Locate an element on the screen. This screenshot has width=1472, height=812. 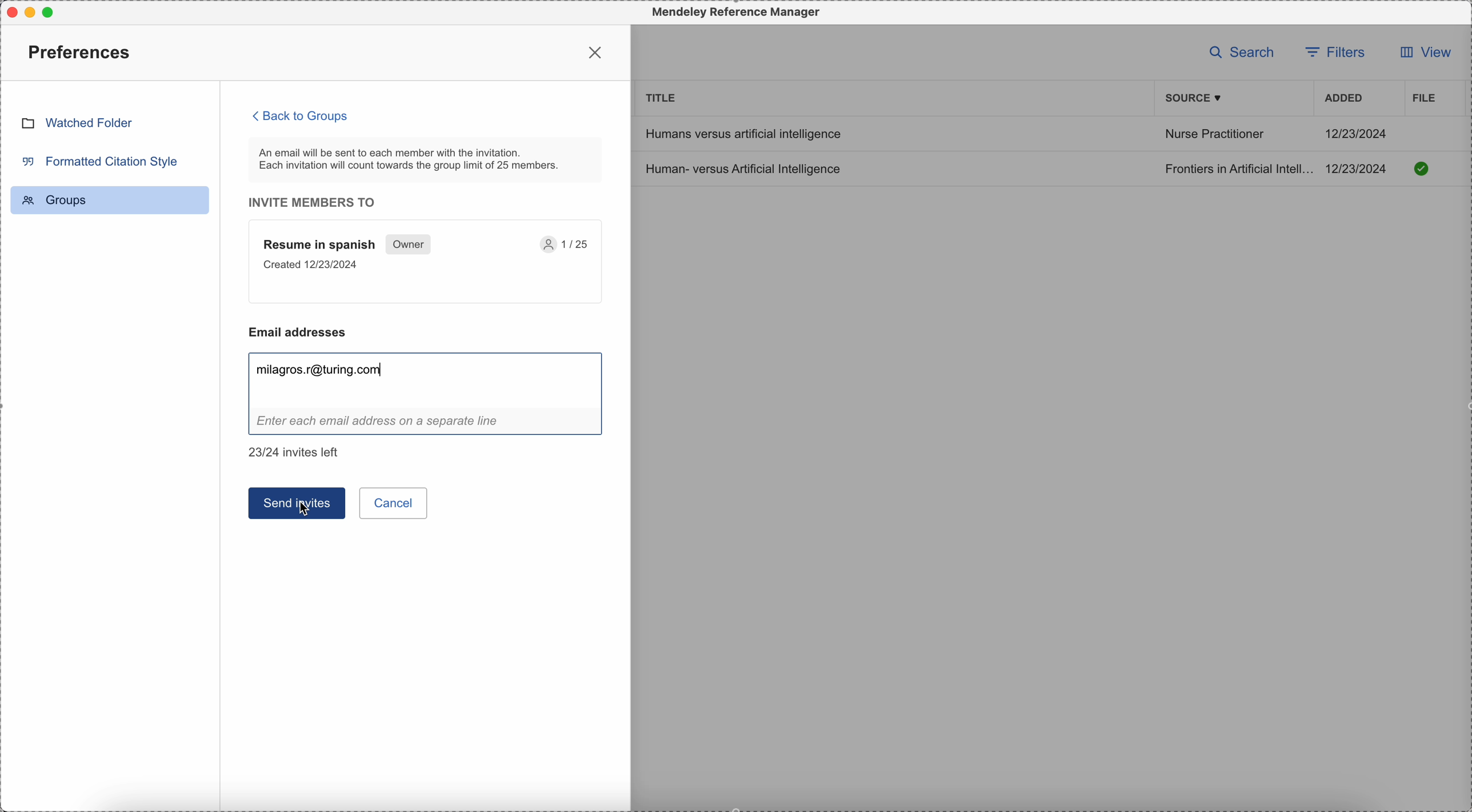
Mendeley Reference Manager is located at coordinates (733, 13).